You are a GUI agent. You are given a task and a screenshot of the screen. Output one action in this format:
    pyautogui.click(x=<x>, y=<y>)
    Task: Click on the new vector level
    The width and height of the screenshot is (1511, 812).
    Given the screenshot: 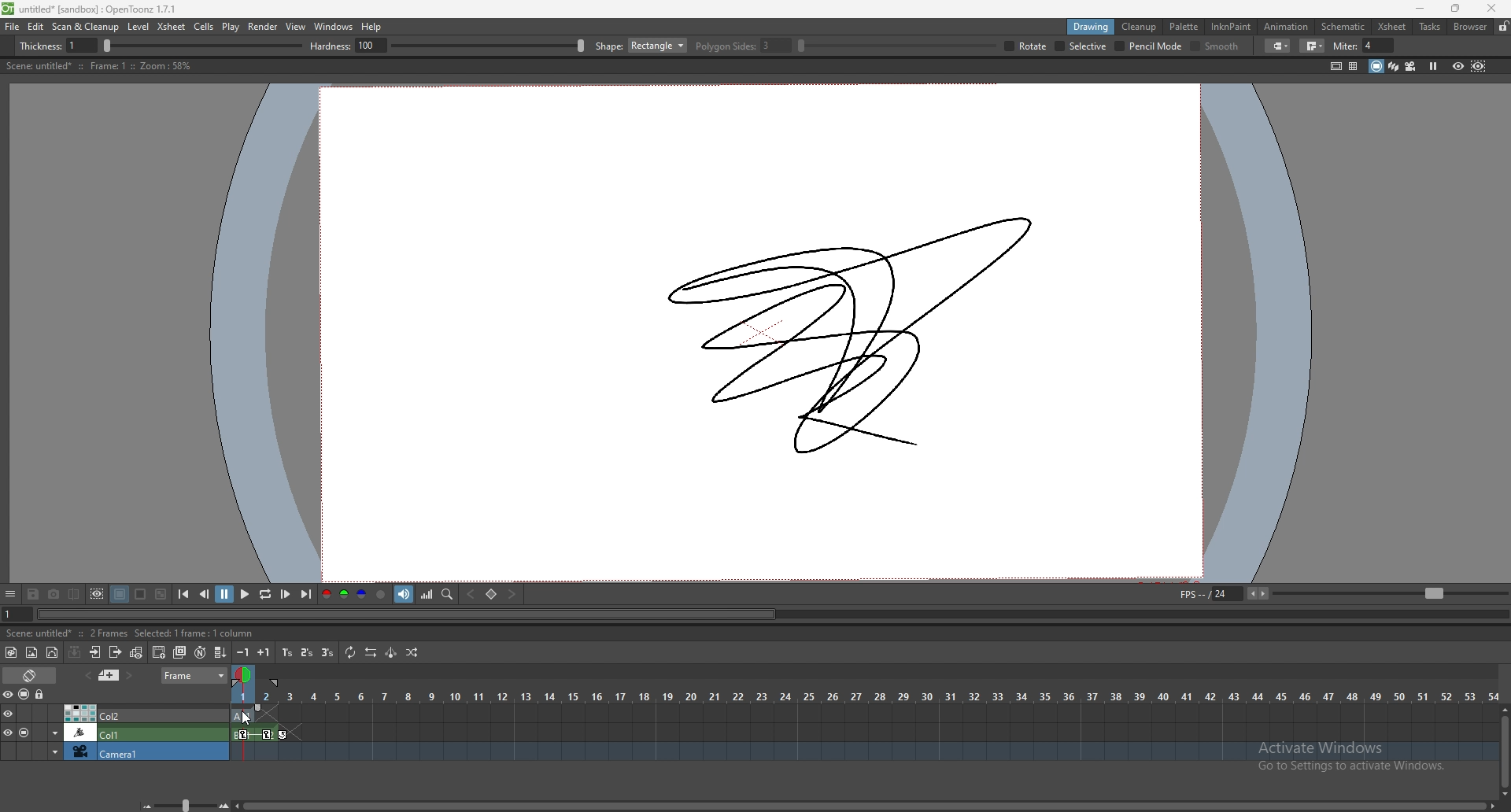 What is the action you would take?
    pyautogui.click(x=53, y=653)
    